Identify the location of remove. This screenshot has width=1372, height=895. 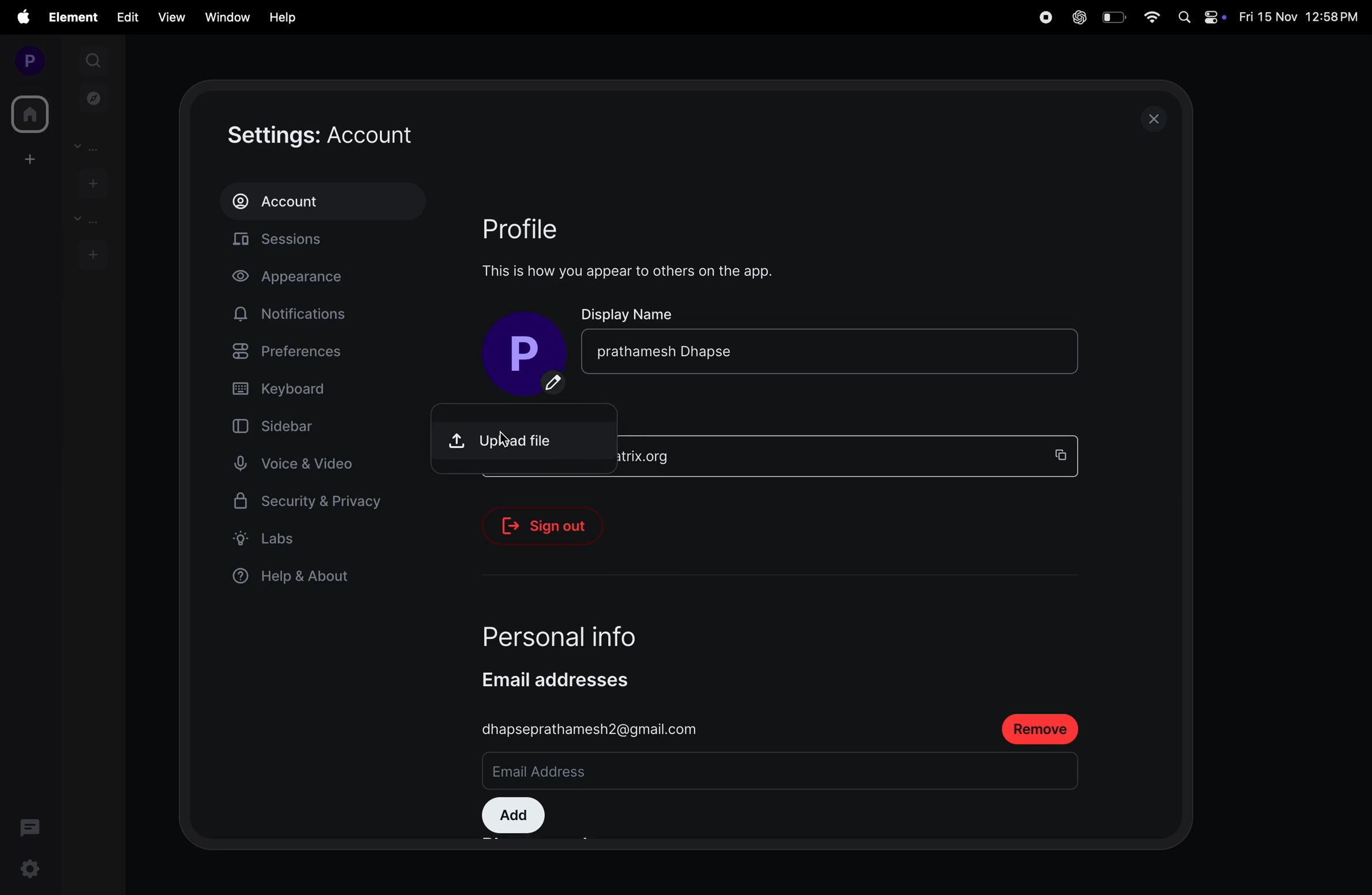
(1040, 728).